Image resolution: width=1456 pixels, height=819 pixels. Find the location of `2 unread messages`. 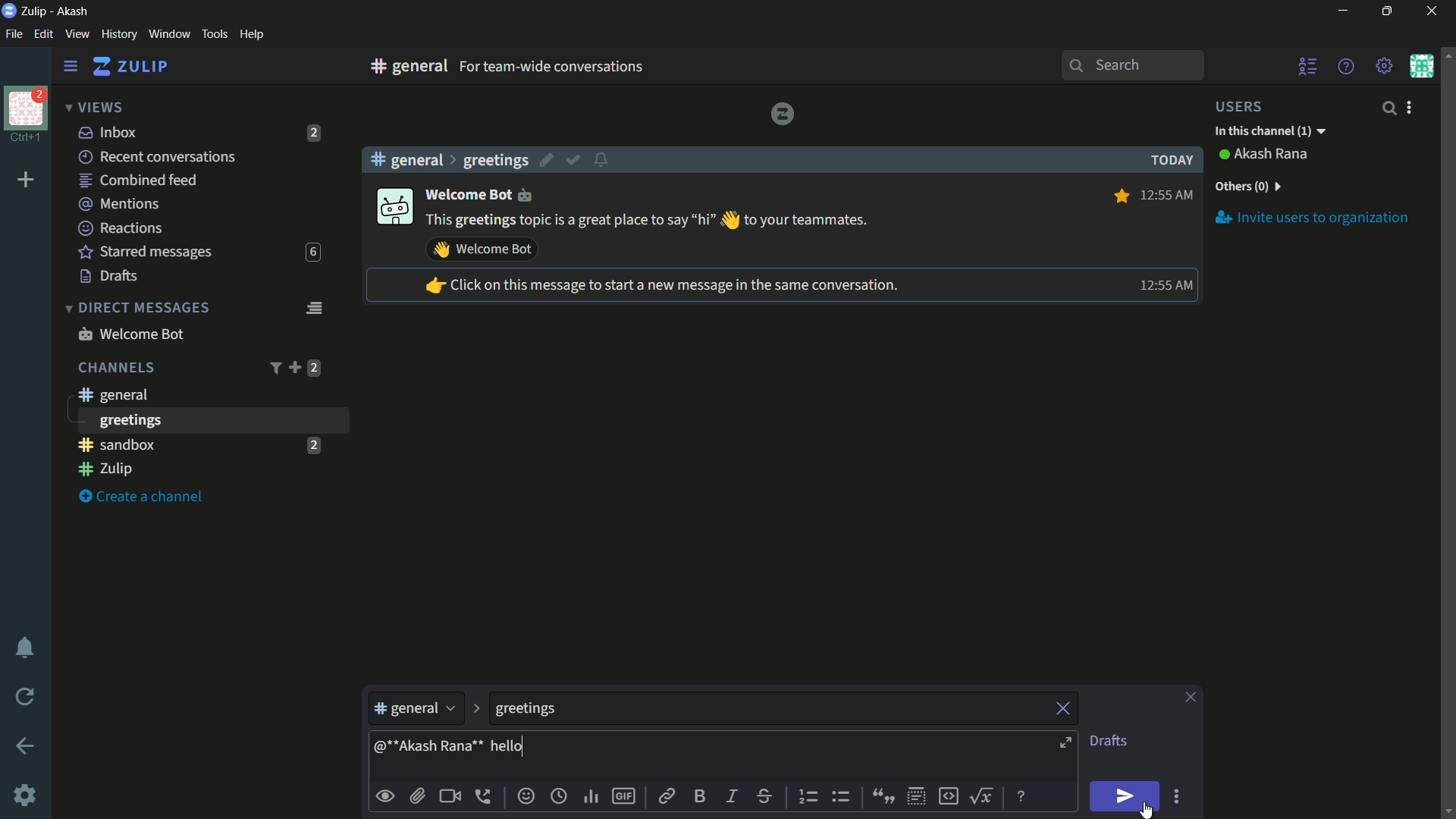

2 unread messages is located at coordinates (315, 133).